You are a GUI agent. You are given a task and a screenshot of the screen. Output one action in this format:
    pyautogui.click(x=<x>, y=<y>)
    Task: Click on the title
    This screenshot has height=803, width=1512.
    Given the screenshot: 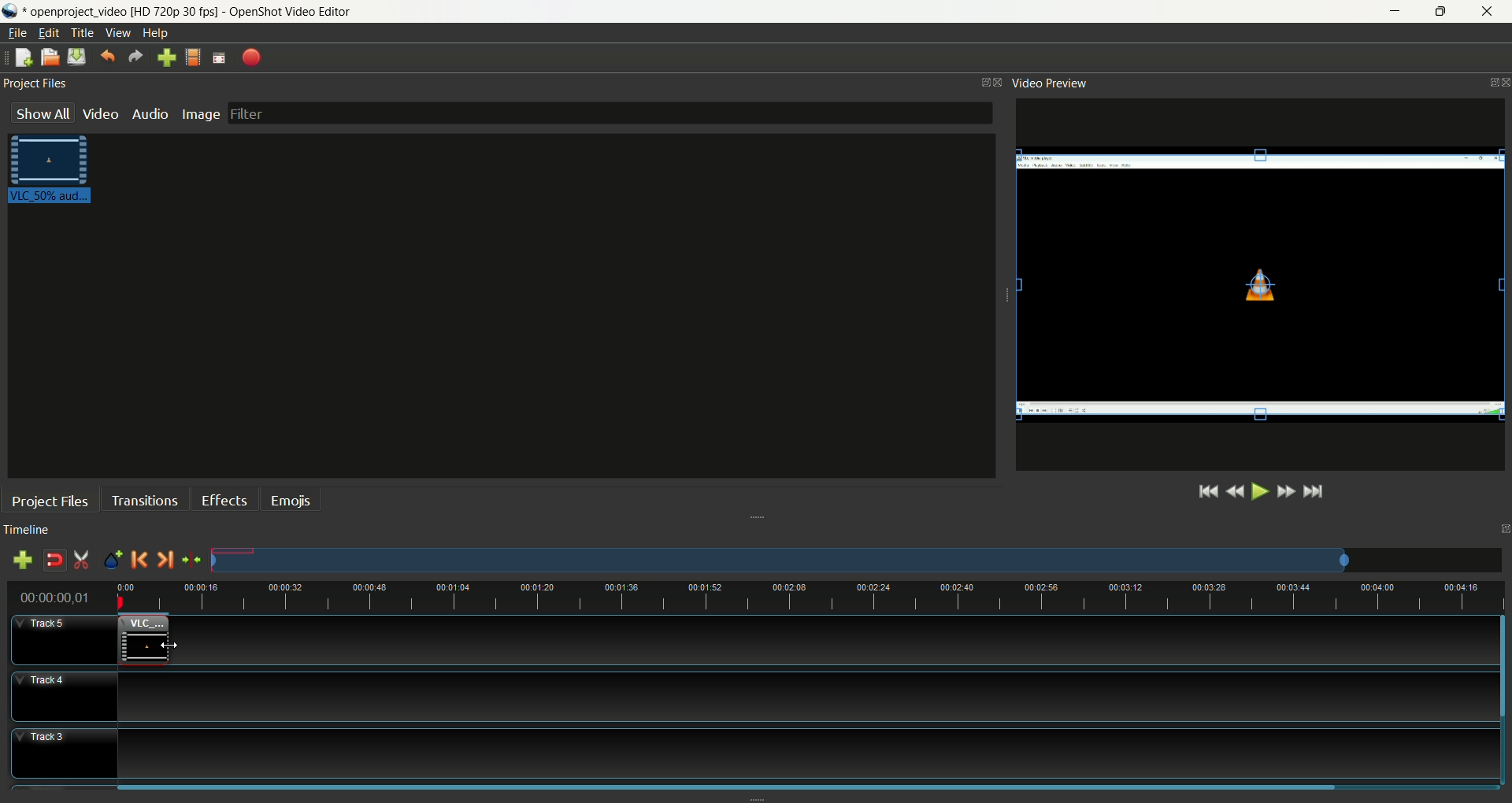 What is the action you would take?
    pyautogui.click(x=83, y=33)
    